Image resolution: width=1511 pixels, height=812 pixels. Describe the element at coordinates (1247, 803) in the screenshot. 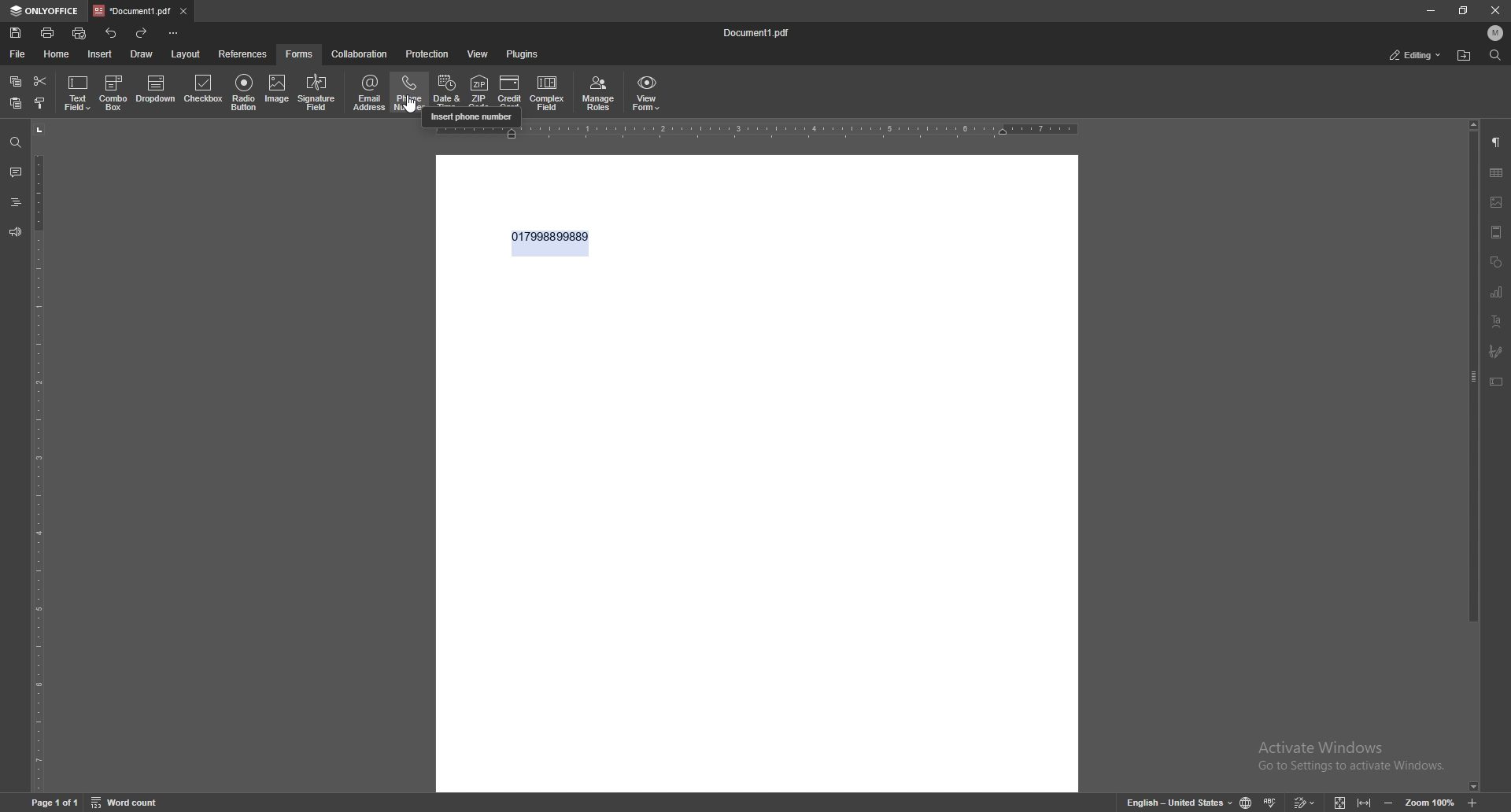

I see `change doc language` at that location.